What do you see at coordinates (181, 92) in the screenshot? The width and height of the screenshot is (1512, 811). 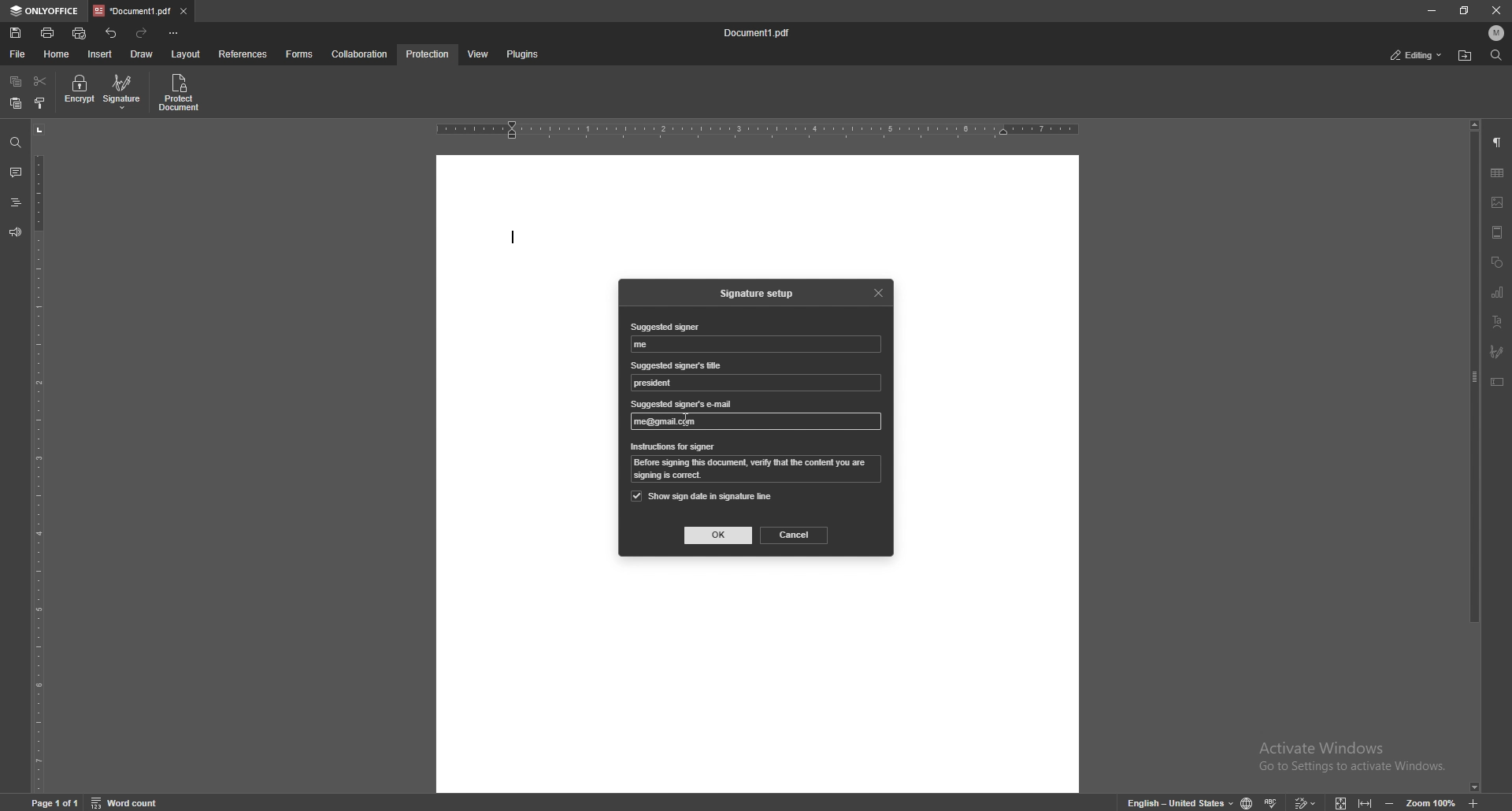 I see `protect document` at bounding box center [181, 92].